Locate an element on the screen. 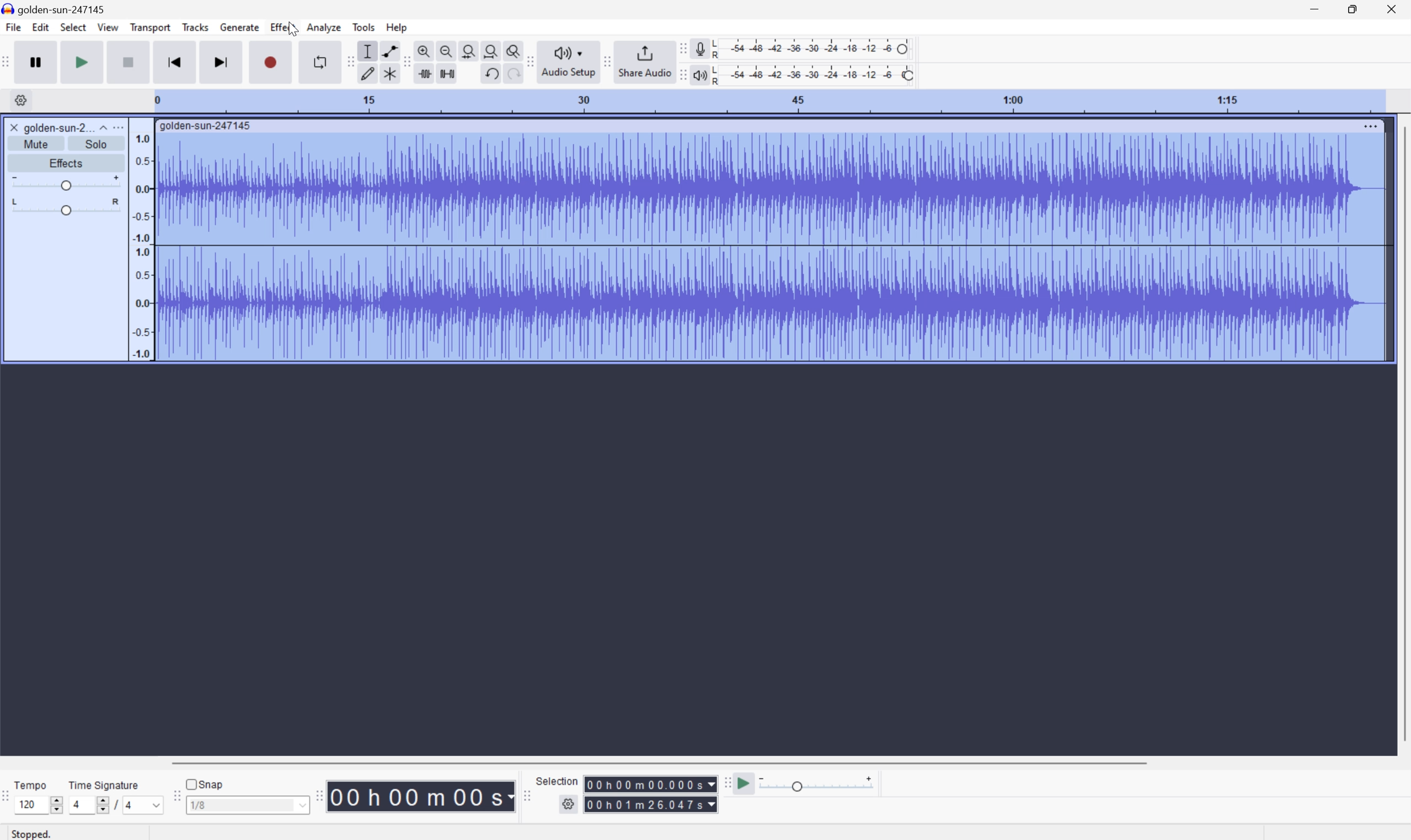  Audio Setup is located at coordinates (568, 62).